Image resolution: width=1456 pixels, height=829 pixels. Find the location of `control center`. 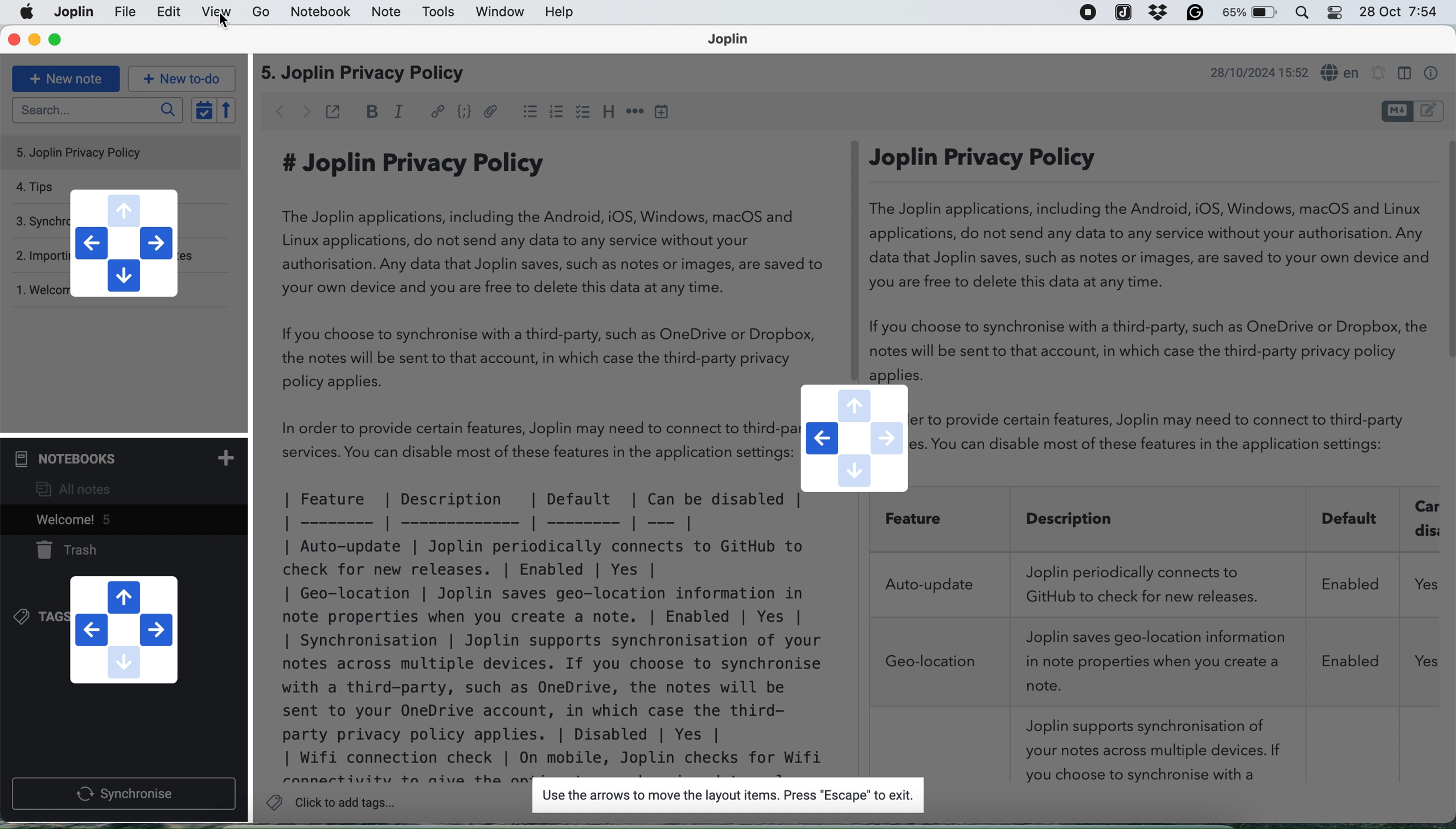

control center is located at coordinates (1307, 13).